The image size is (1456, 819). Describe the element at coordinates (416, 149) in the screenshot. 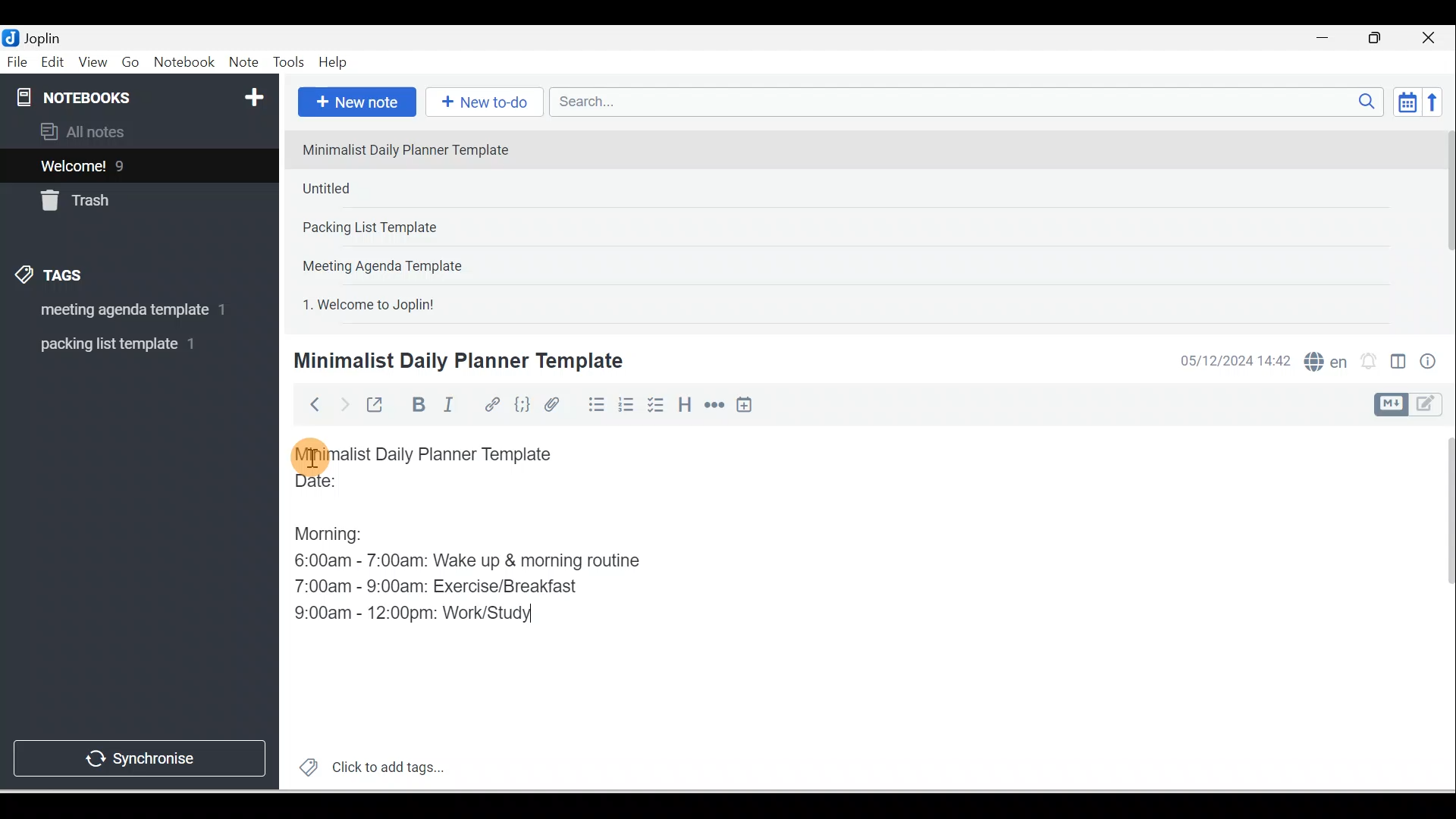

I see `Note 1` at that location.